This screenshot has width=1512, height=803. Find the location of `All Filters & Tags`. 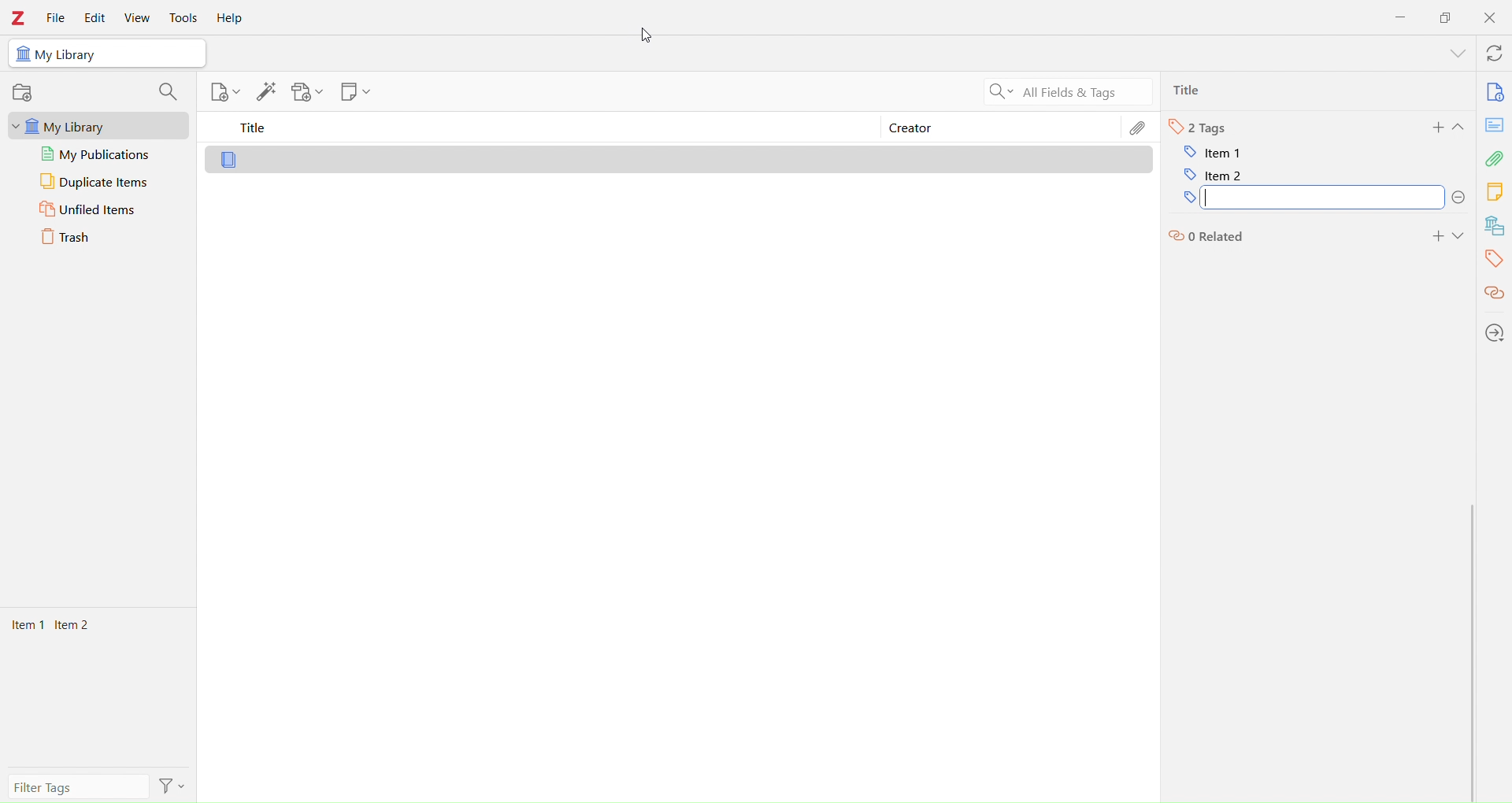

All Filters & Tags is located at coordinates (1065, 94).